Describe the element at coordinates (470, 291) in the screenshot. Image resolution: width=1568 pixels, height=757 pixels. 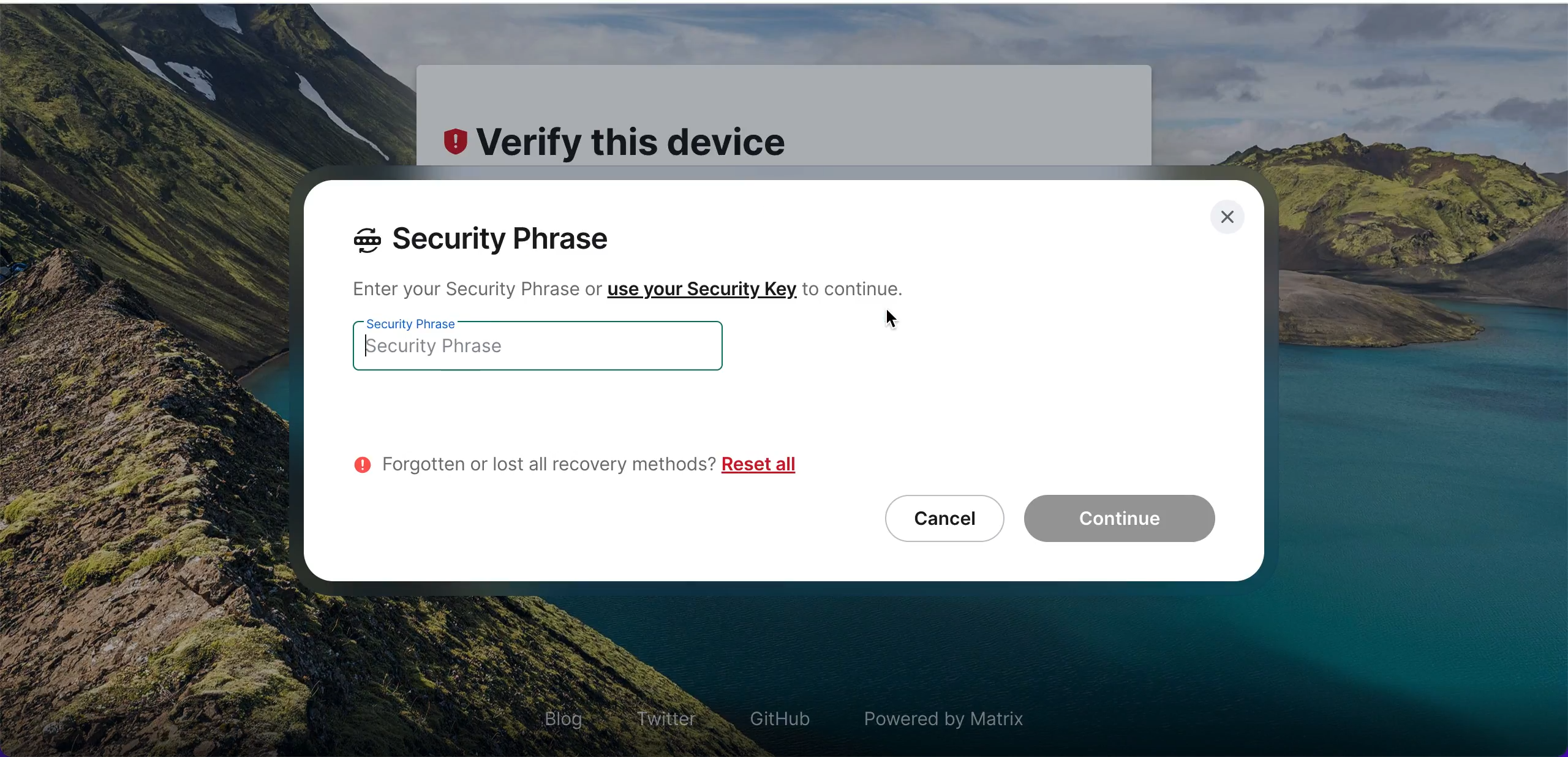
I see `enter your security phrase or` at that location.